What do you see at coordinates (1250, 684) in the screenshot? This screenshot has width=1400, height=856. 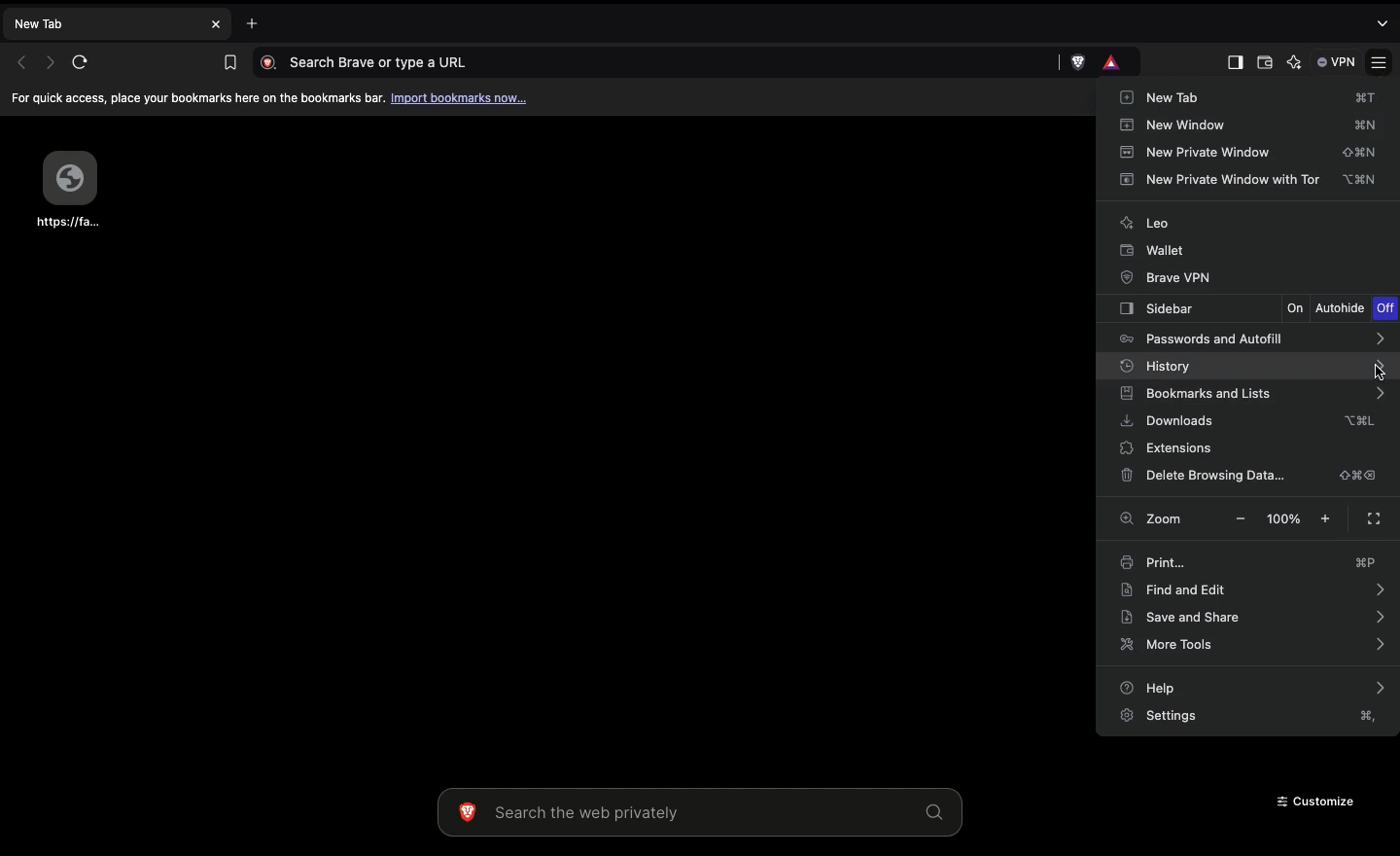 I see `Help` at bounding box center [1250, 684].